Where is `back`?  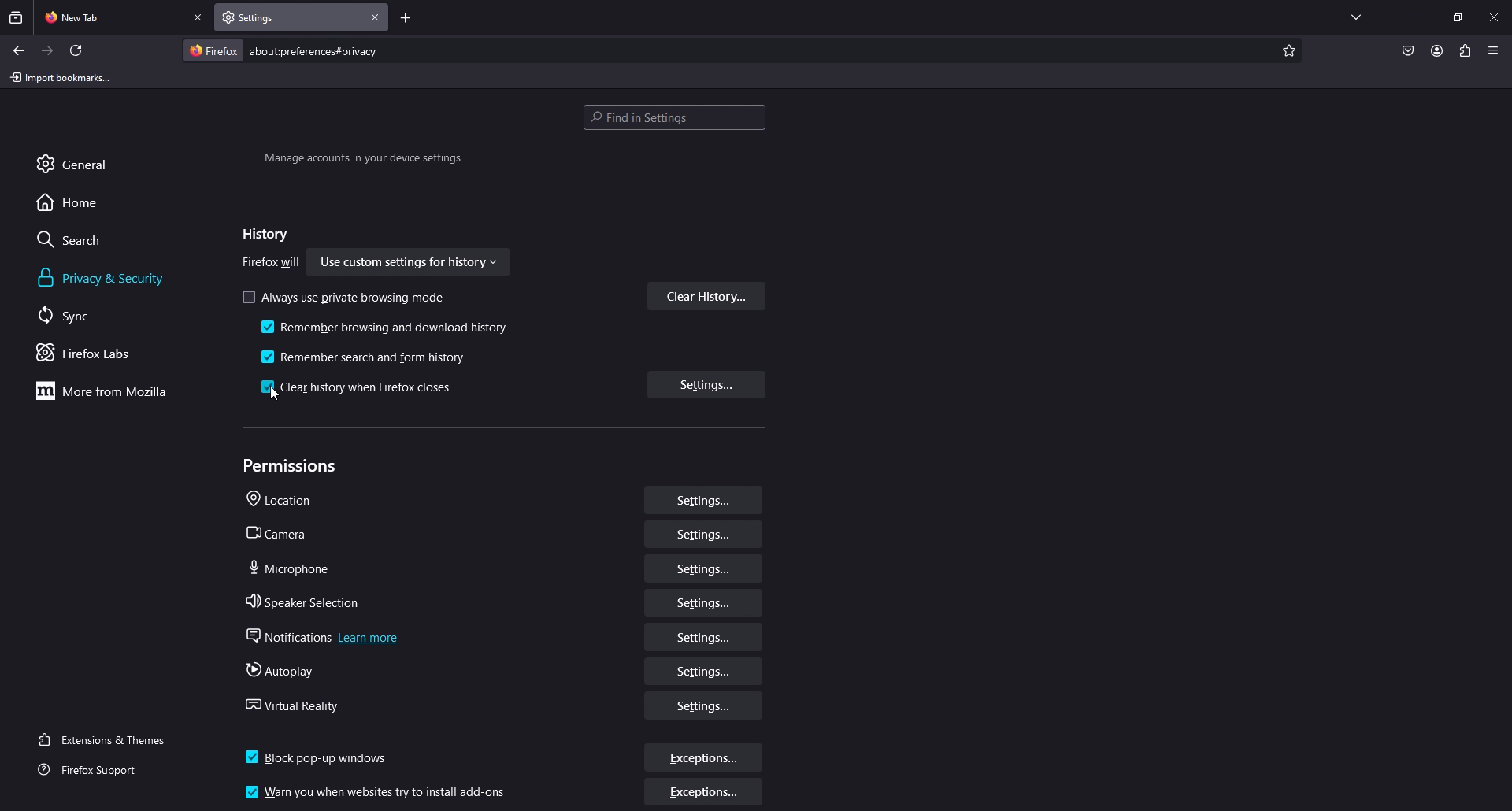 back is located at coordinates (18, 50).